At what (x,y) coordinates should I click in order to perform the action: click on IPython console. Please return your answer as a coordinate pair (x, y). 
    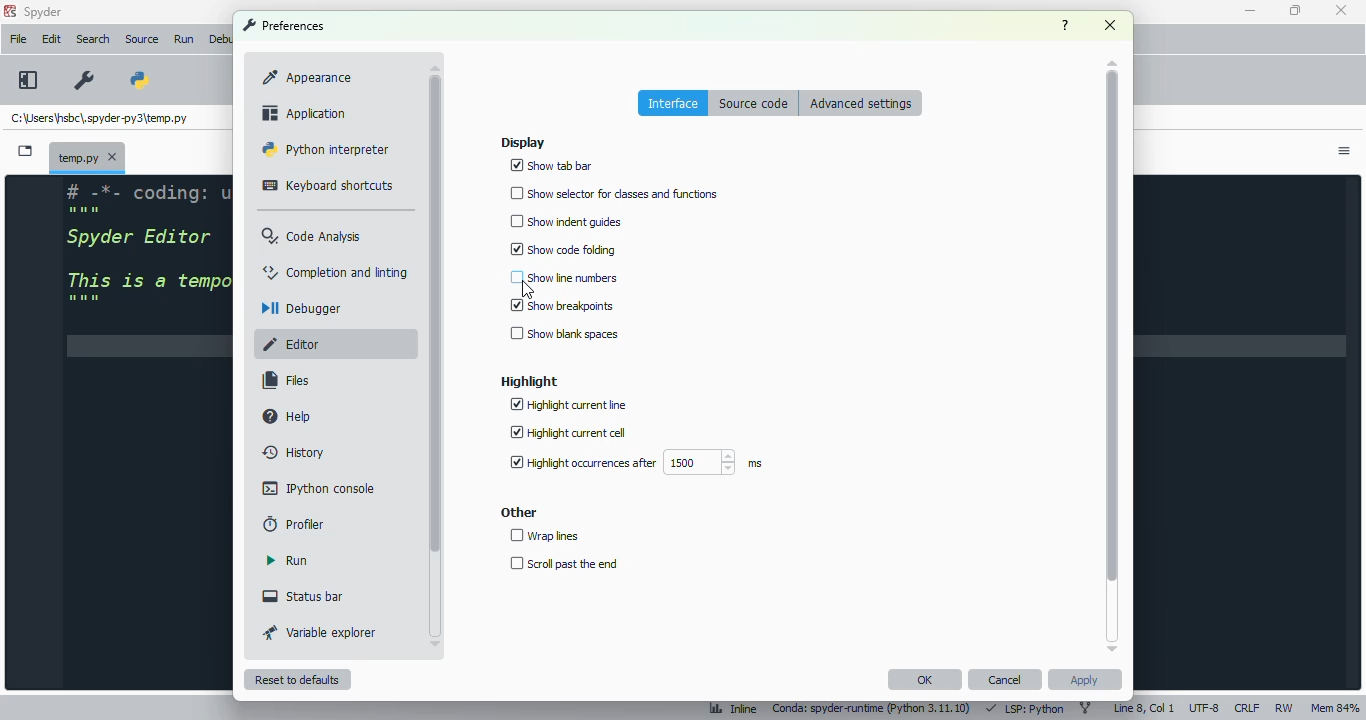
    Looking at the image, I should click on (319, 488).